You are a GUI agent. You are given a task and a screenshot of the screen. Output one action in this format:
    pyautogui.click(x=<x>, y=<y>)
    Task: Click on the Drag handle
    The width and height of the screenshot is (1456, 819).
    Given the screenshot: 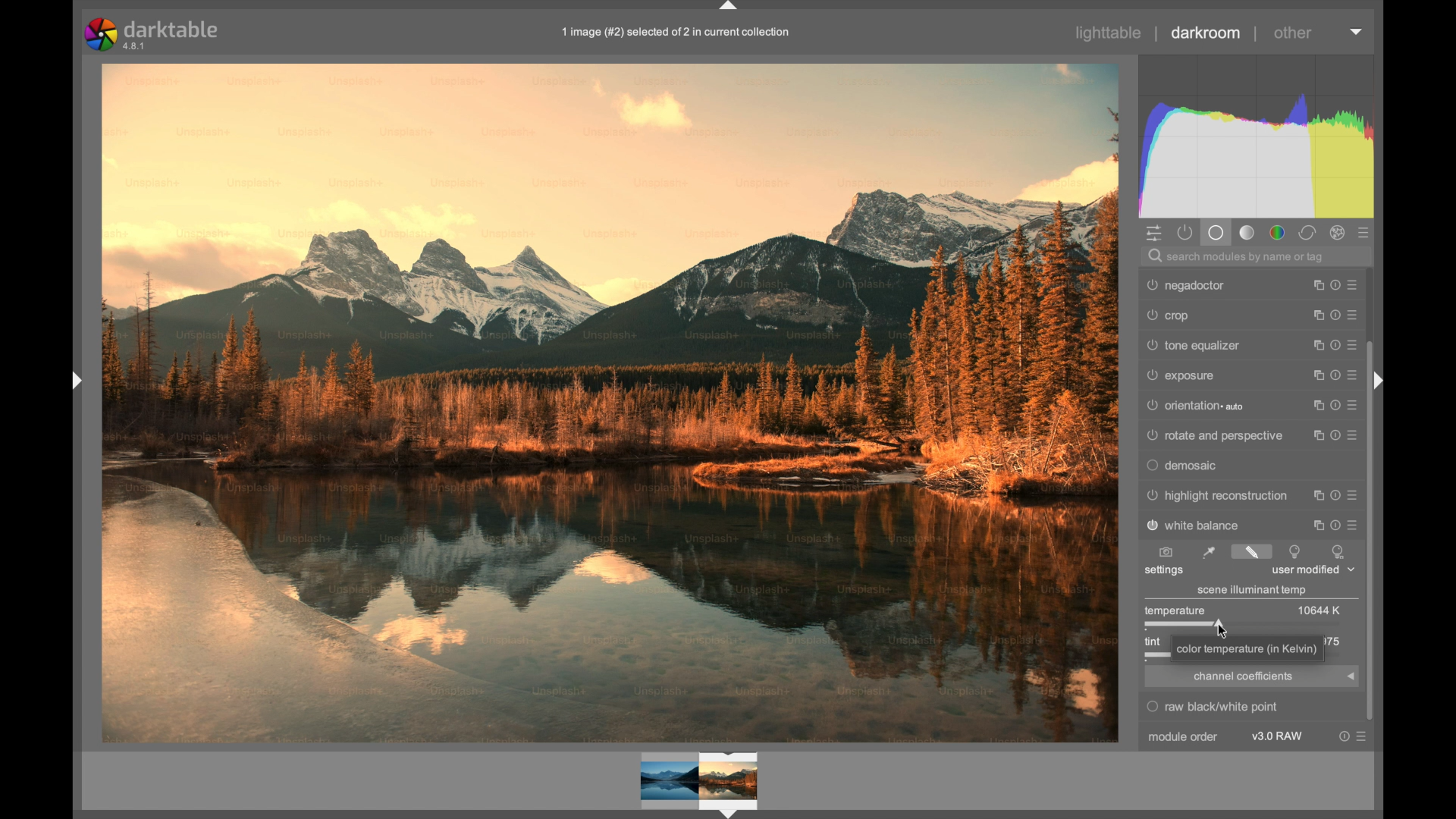 What is the action you would take?
    pyautogui.click(x=73, y=378)
    